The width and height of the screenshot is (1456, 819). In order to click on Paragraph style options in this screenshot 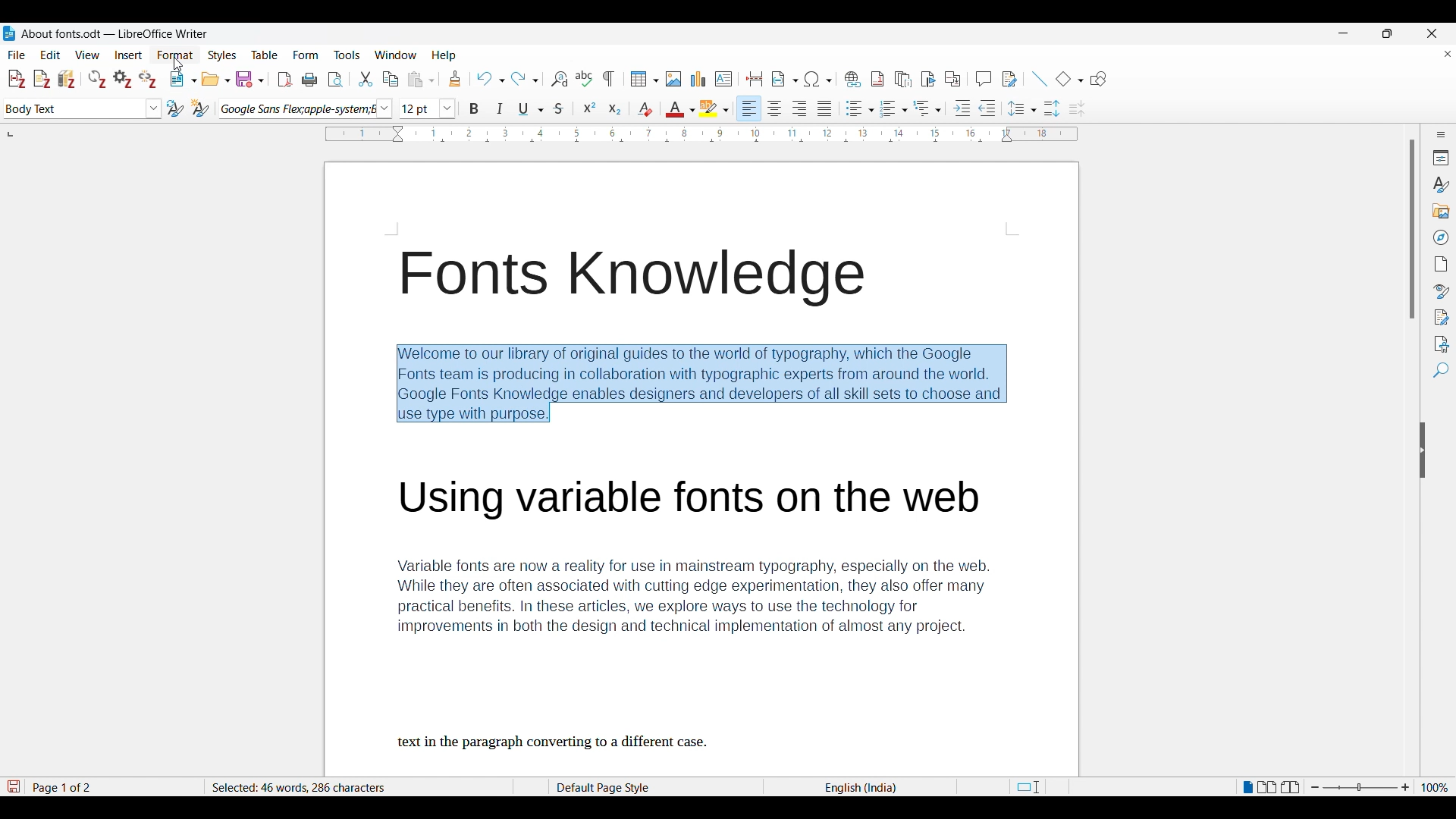, I will do `click(83, 108)`.